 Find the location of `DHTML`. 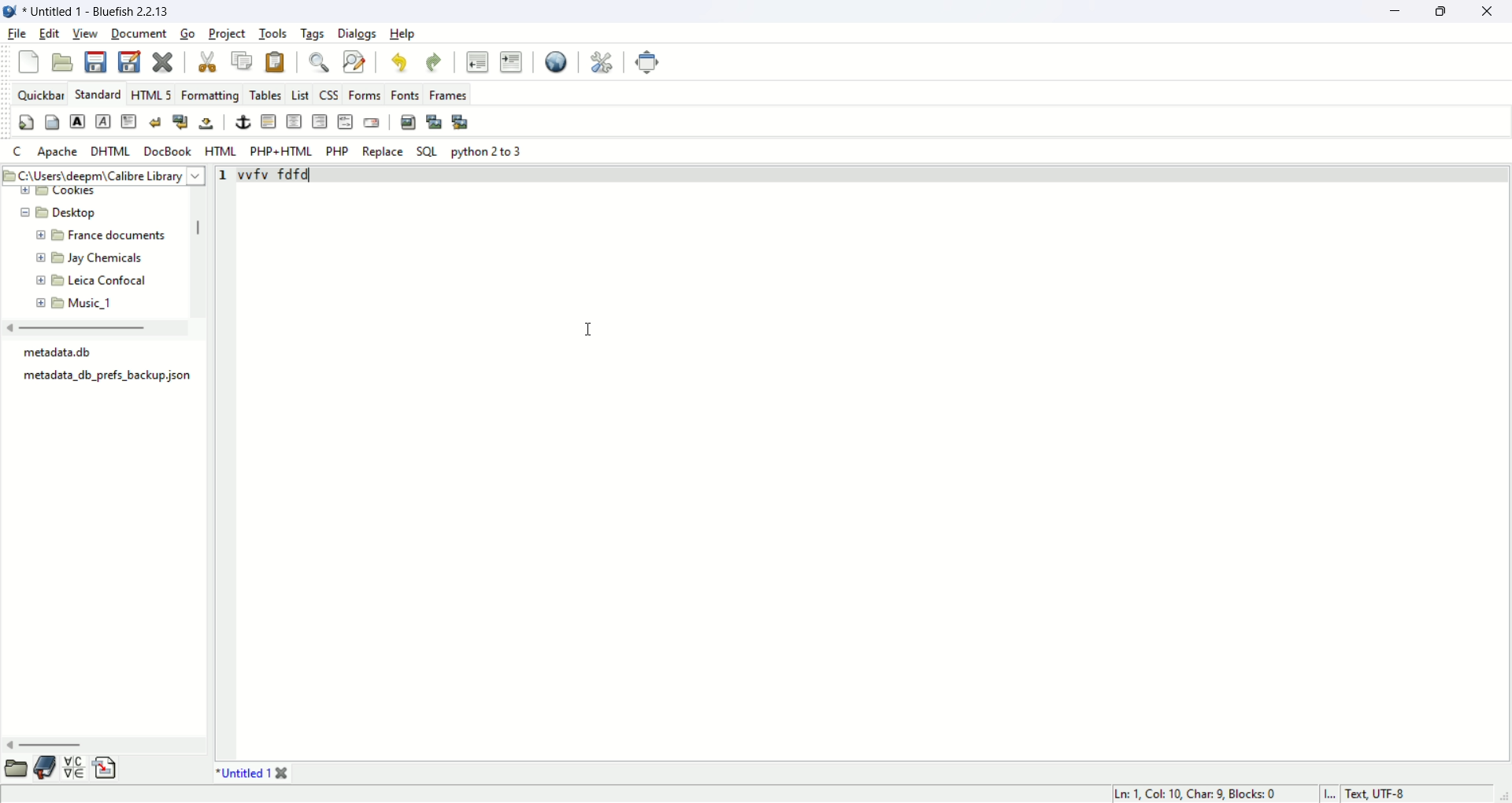

DHTML is located at coordinates (109, 150).